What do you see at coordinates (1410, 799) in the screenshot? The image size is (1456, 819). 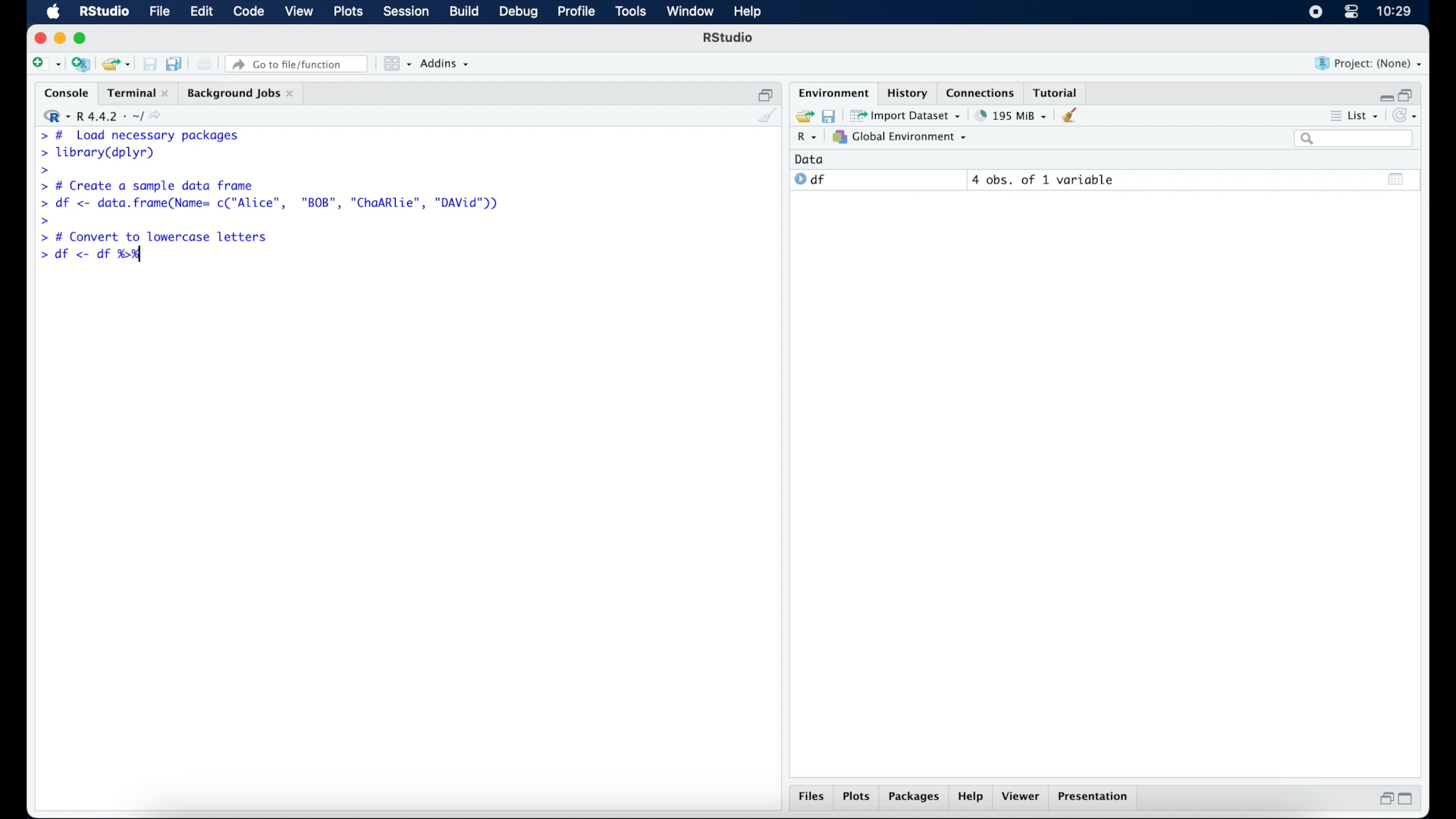 I see `maximize` at bounding box center [1410, 799].